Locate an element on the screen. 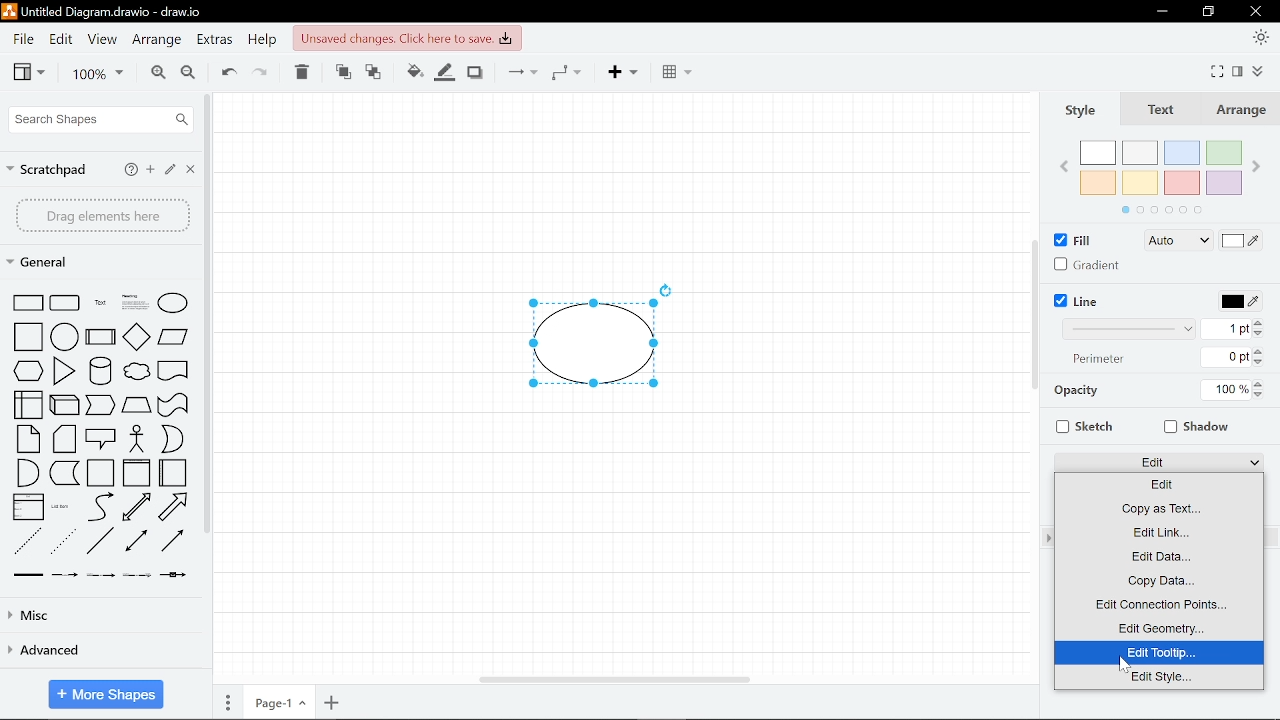 The width and height of the screenshot is (1280, 720). Zoom out is located at coordinates (190, 73).